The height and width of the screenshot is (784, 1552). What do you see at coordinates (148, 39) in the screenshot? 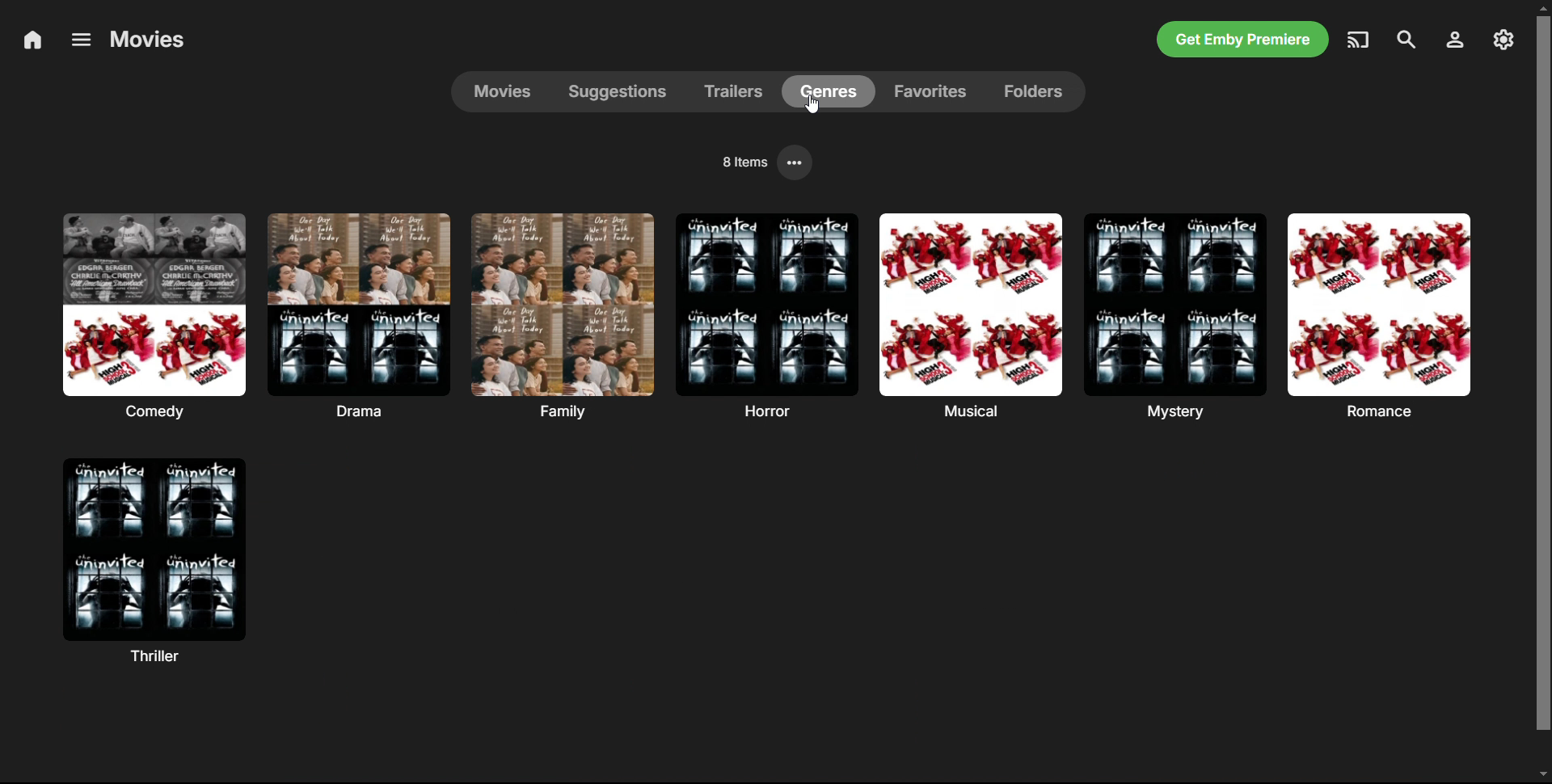
I see `movies ` at bounding box center [148, 39].